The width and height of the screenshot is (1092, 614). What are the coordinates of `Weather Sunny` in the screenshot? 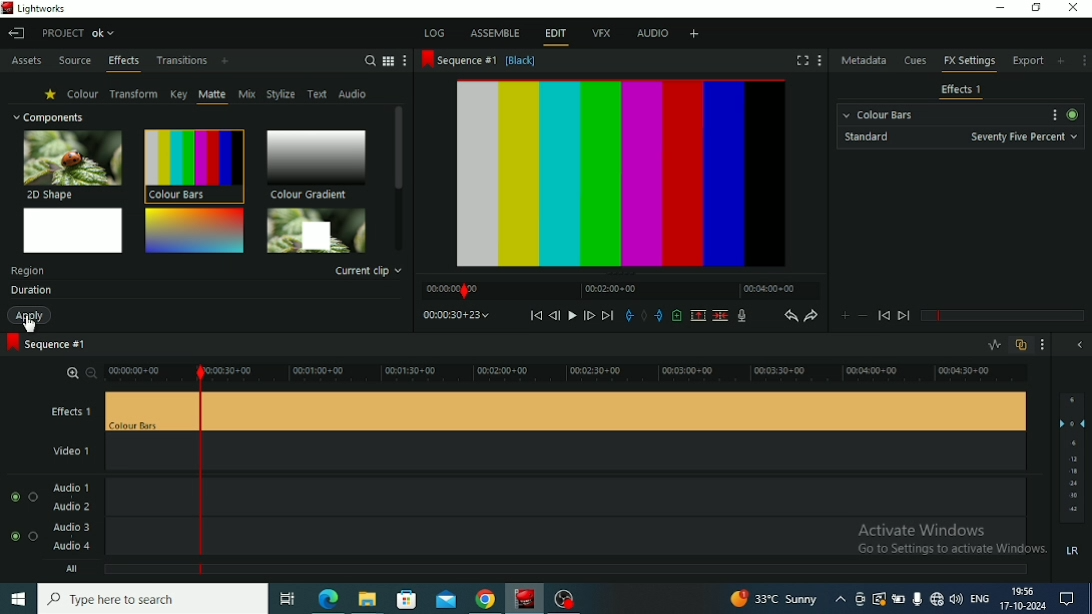 It's located at (788, 599).